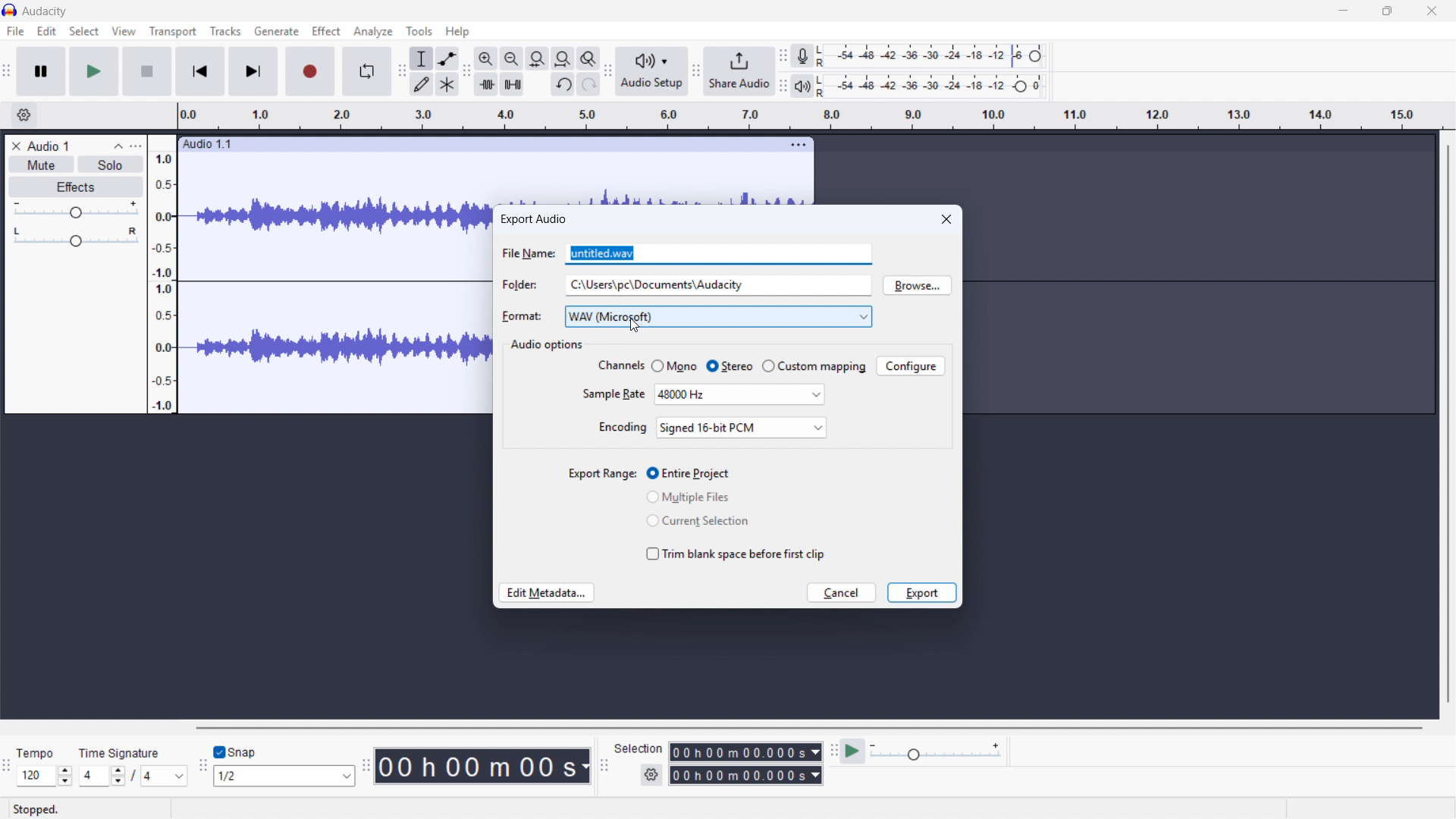  I want to click on Audacity time toolbar , so click(366, 765).